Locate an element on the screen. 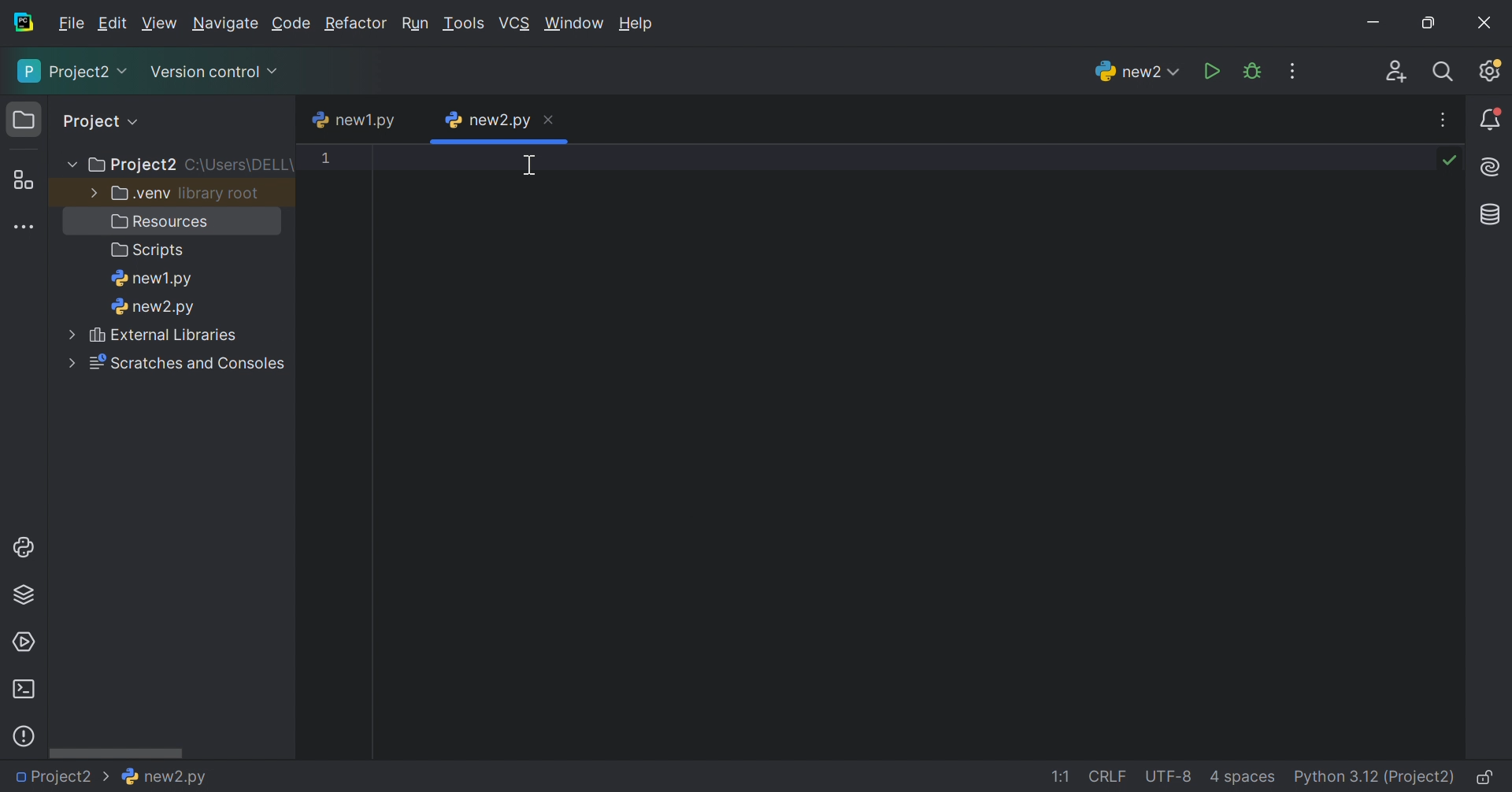 Image resolution: width=1512 pixels, height=792 pixels. Notifications is located at coordinates (1493, 119).